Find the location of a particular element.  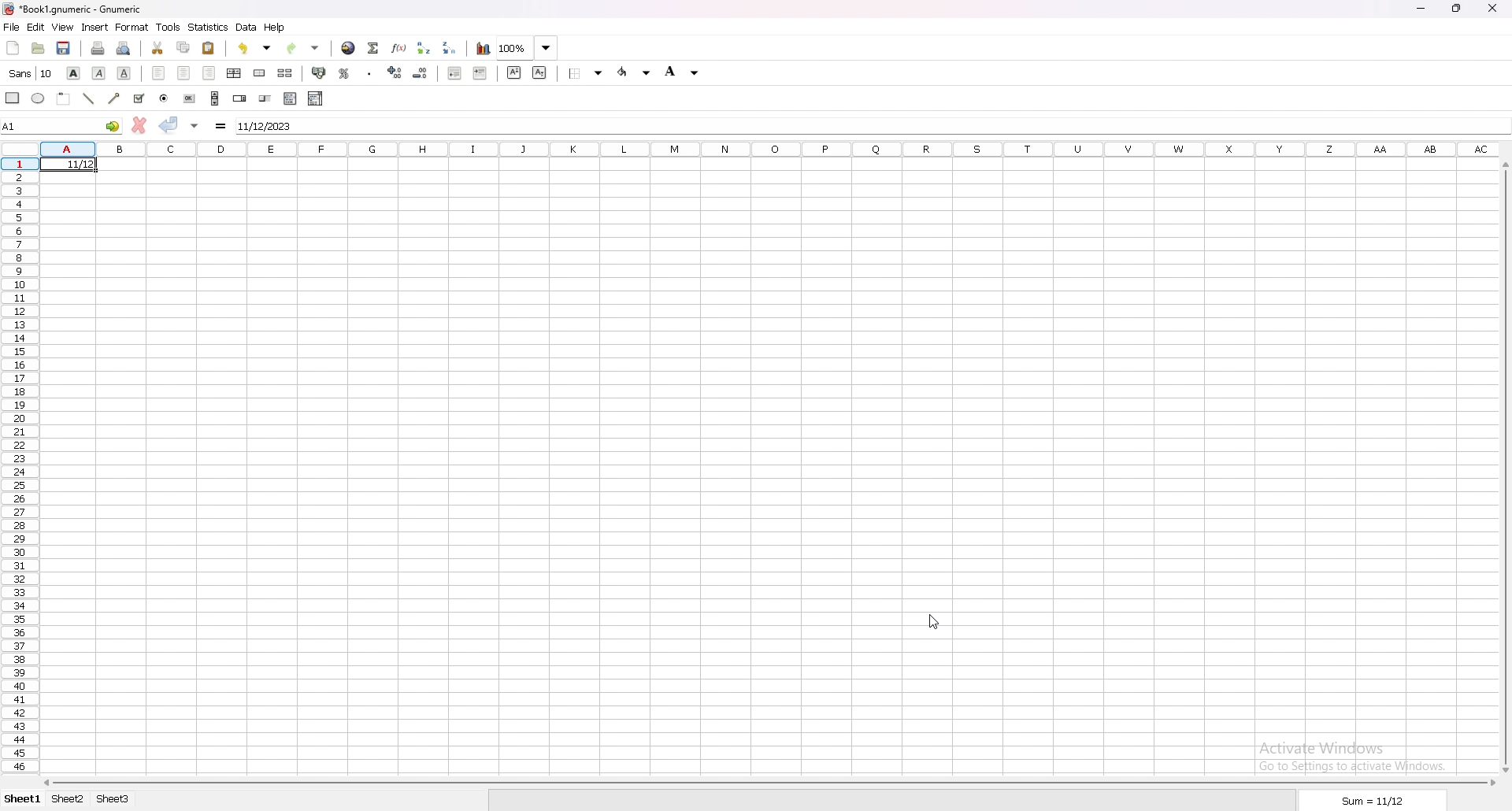

insert is located at coordinates (95, 28).